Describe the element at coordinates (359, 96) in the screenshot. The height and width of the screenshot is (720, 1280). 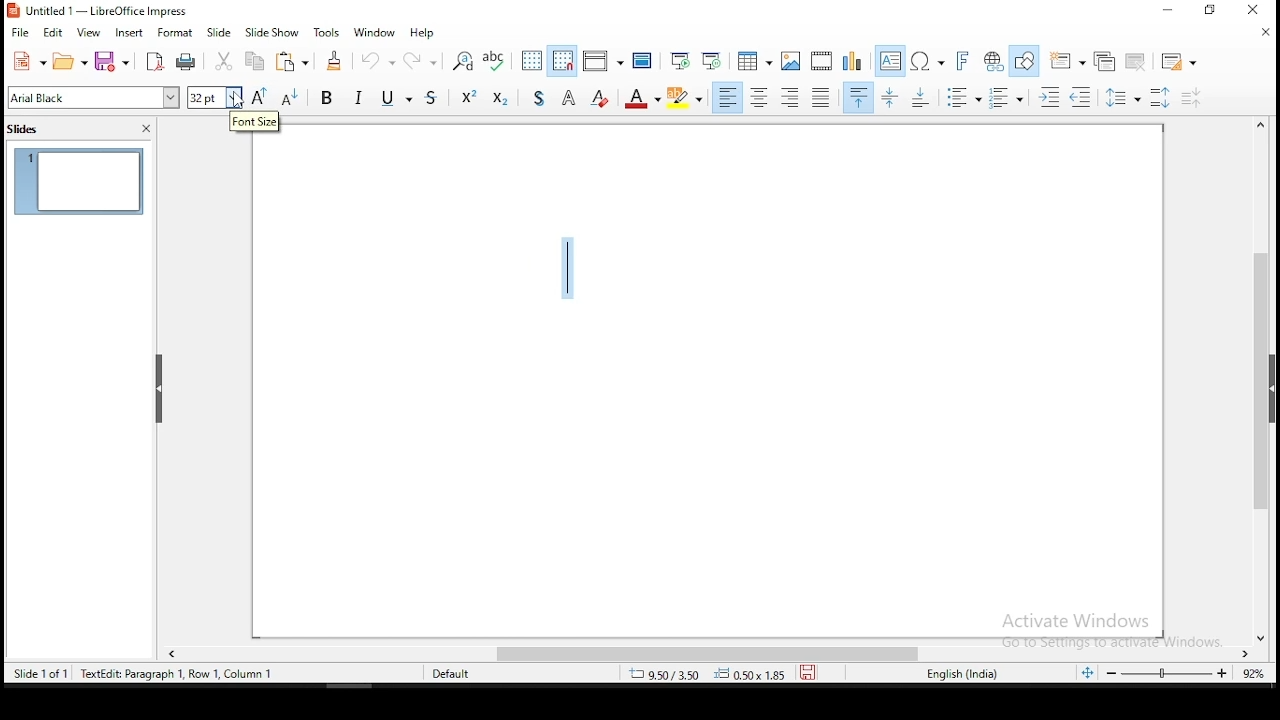
I see `Italics` at that location.